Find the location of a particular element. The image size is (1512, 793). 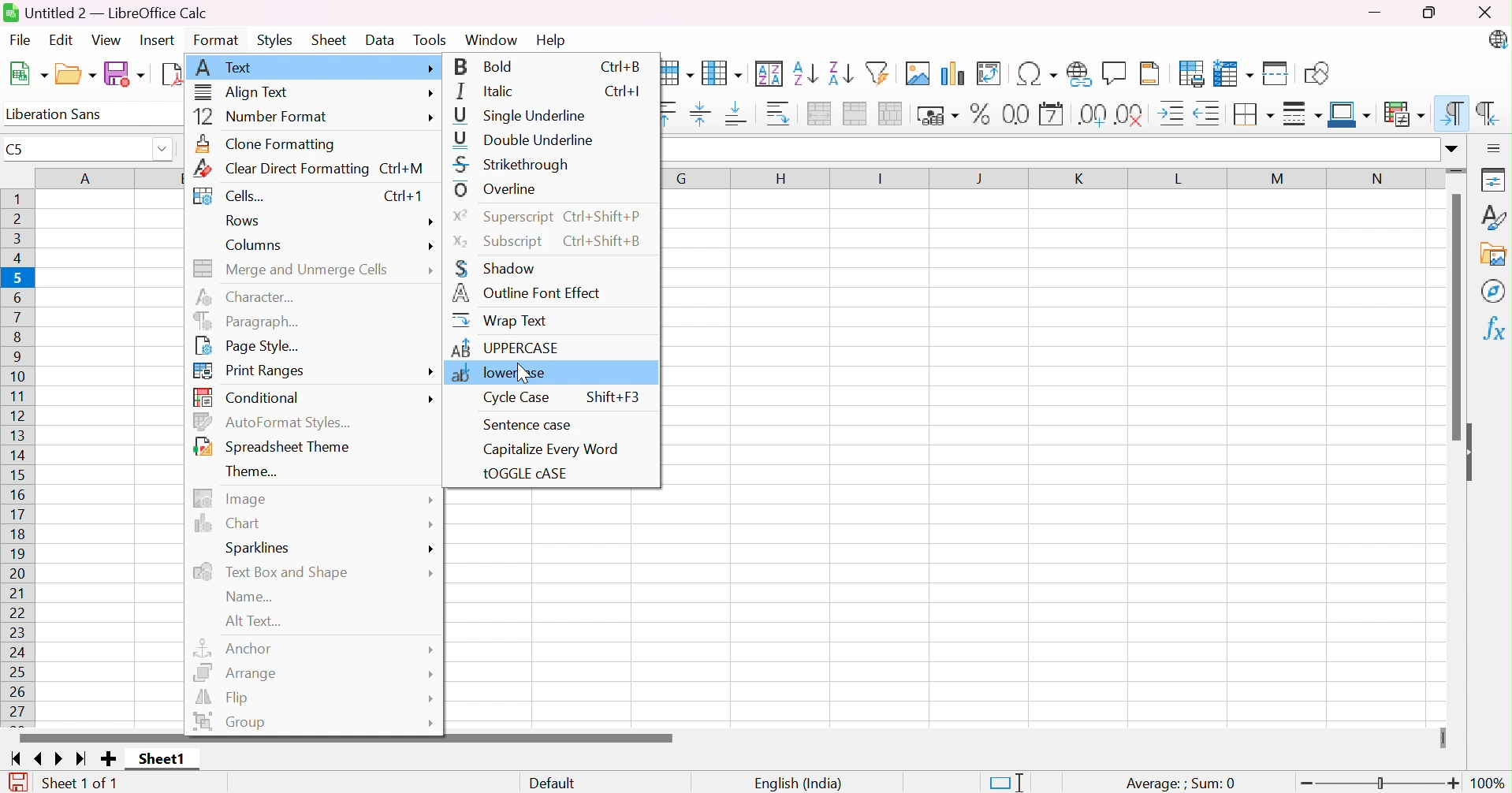

Insert Hyperlink is located at coordinates (1081, 73).